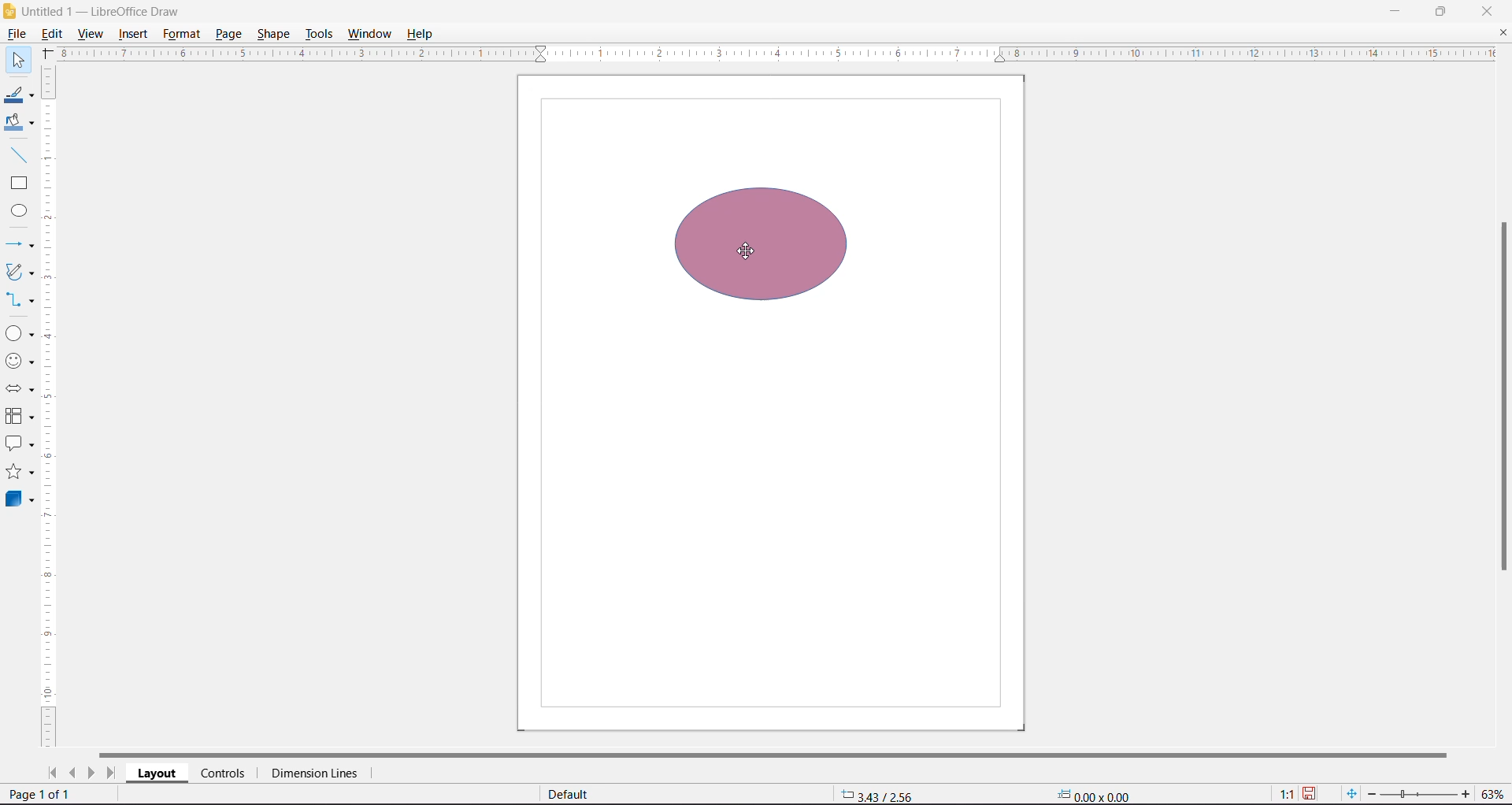  Describe the element at coordinates (19, 184) in the screenshot. I see `Rectangle` at that location.